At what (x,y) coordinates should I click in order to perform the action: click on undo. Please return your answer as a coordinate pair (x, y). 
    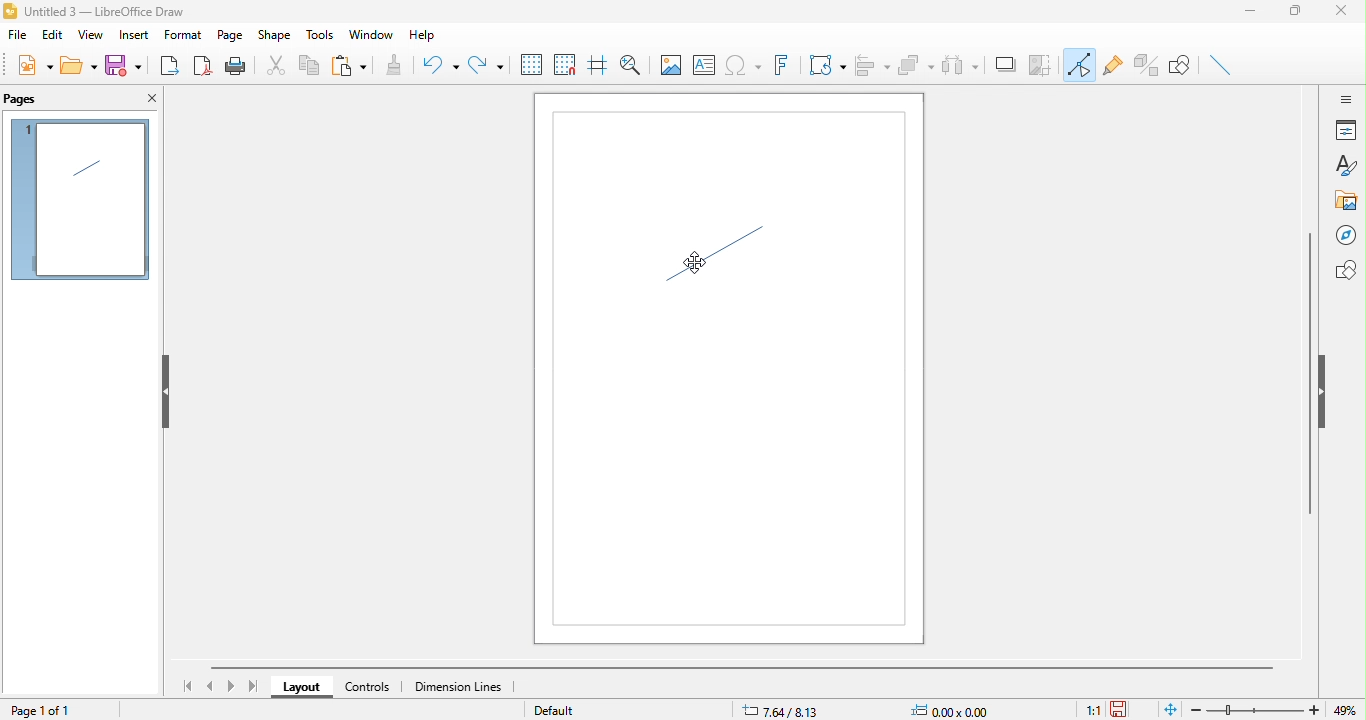
    Looking at the image, I should click on (441, 67).